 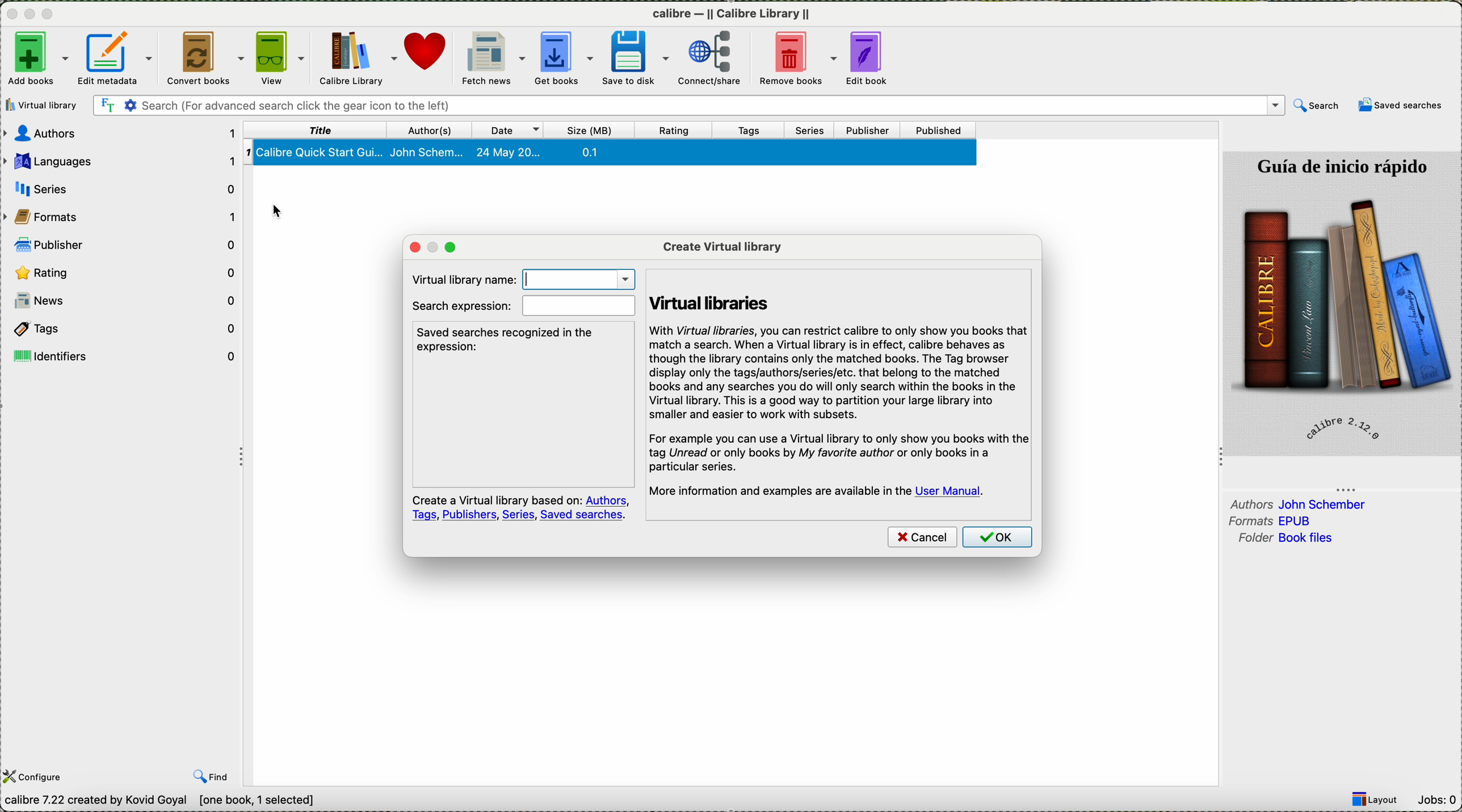 What do you see at coordinates (922, 538) in the screenshot?
I see `cancel` at bounding box center [922, 538].